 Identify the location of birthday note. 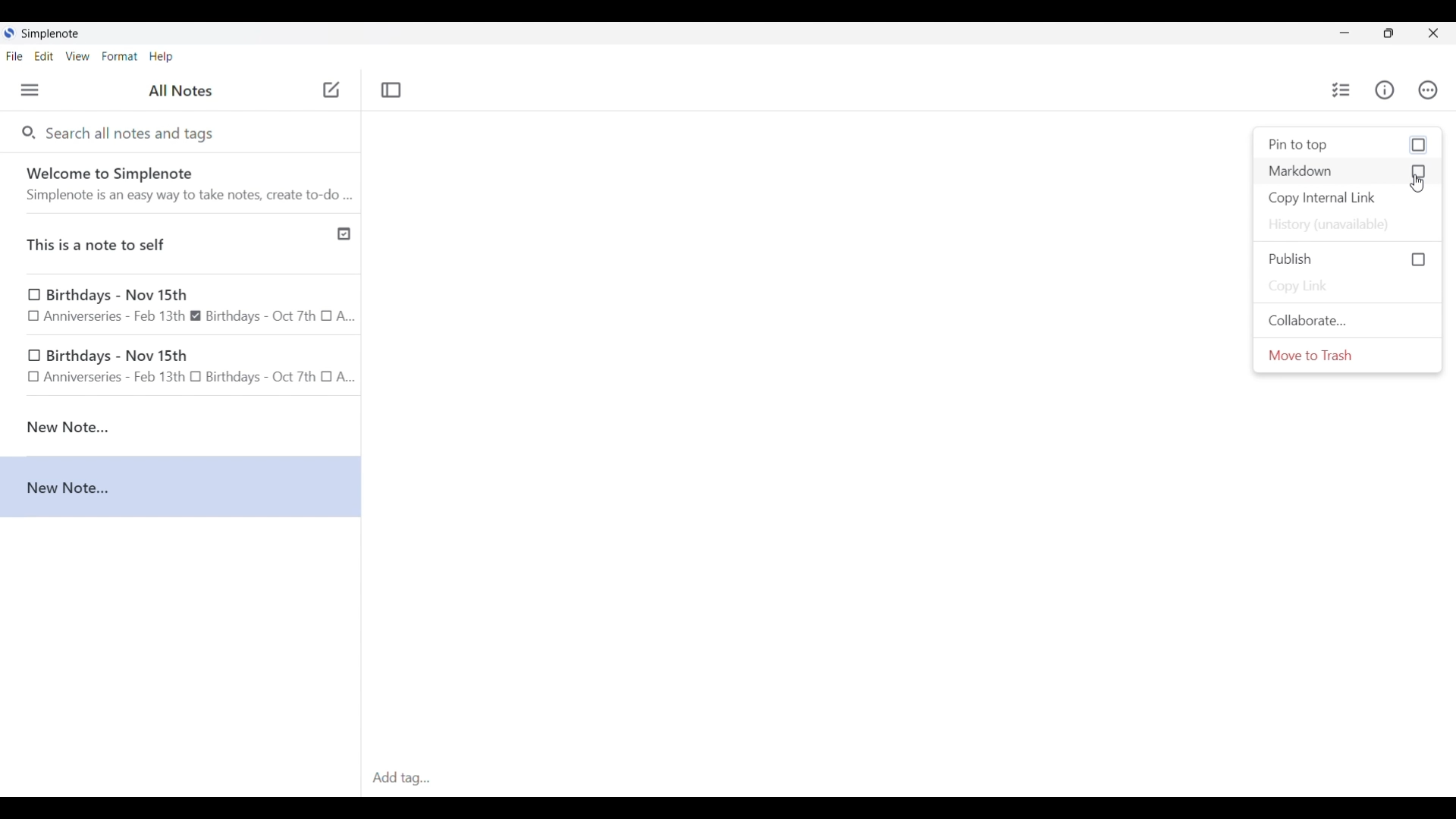
(182, 369).